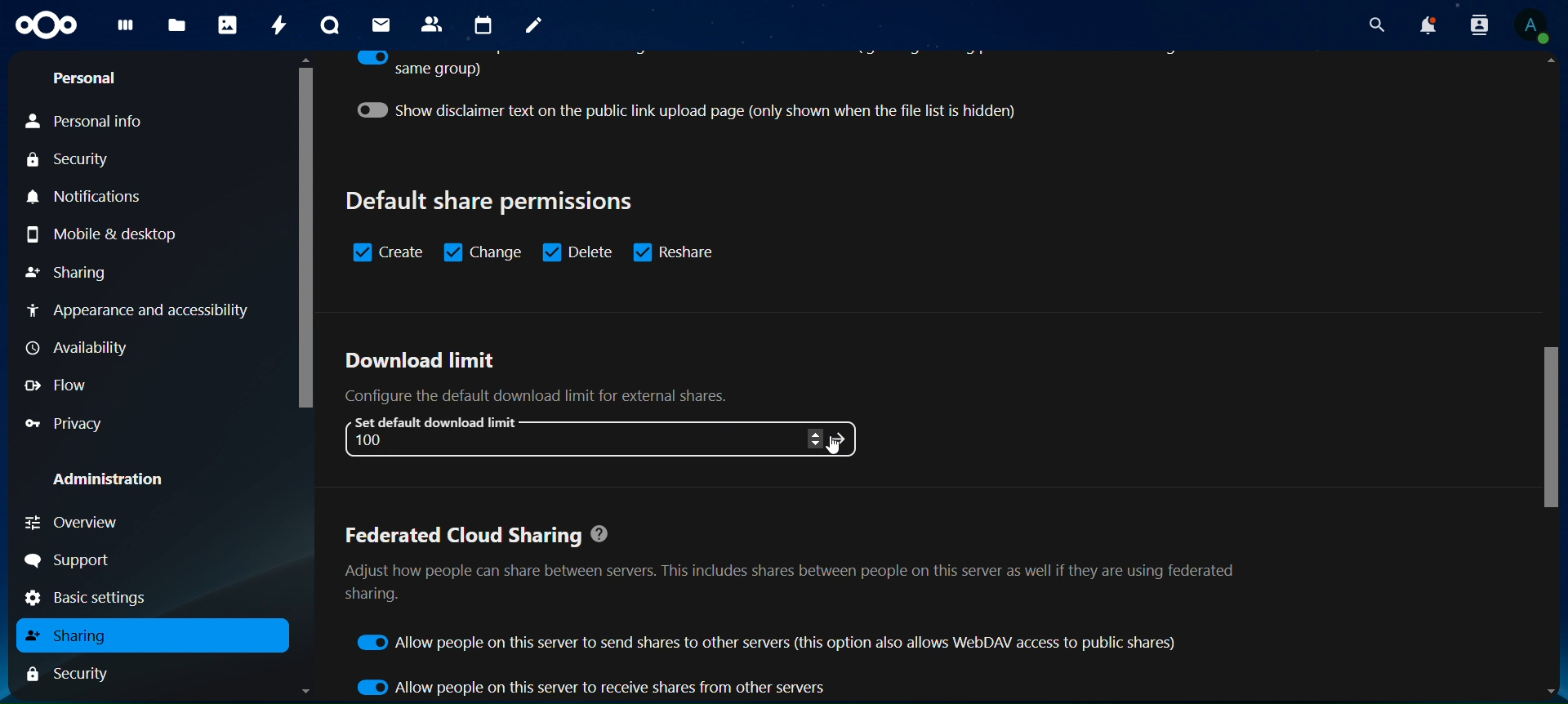 This screenshot has height=704, width=1568. I want to click on Scrollbar, so click(301, 378).